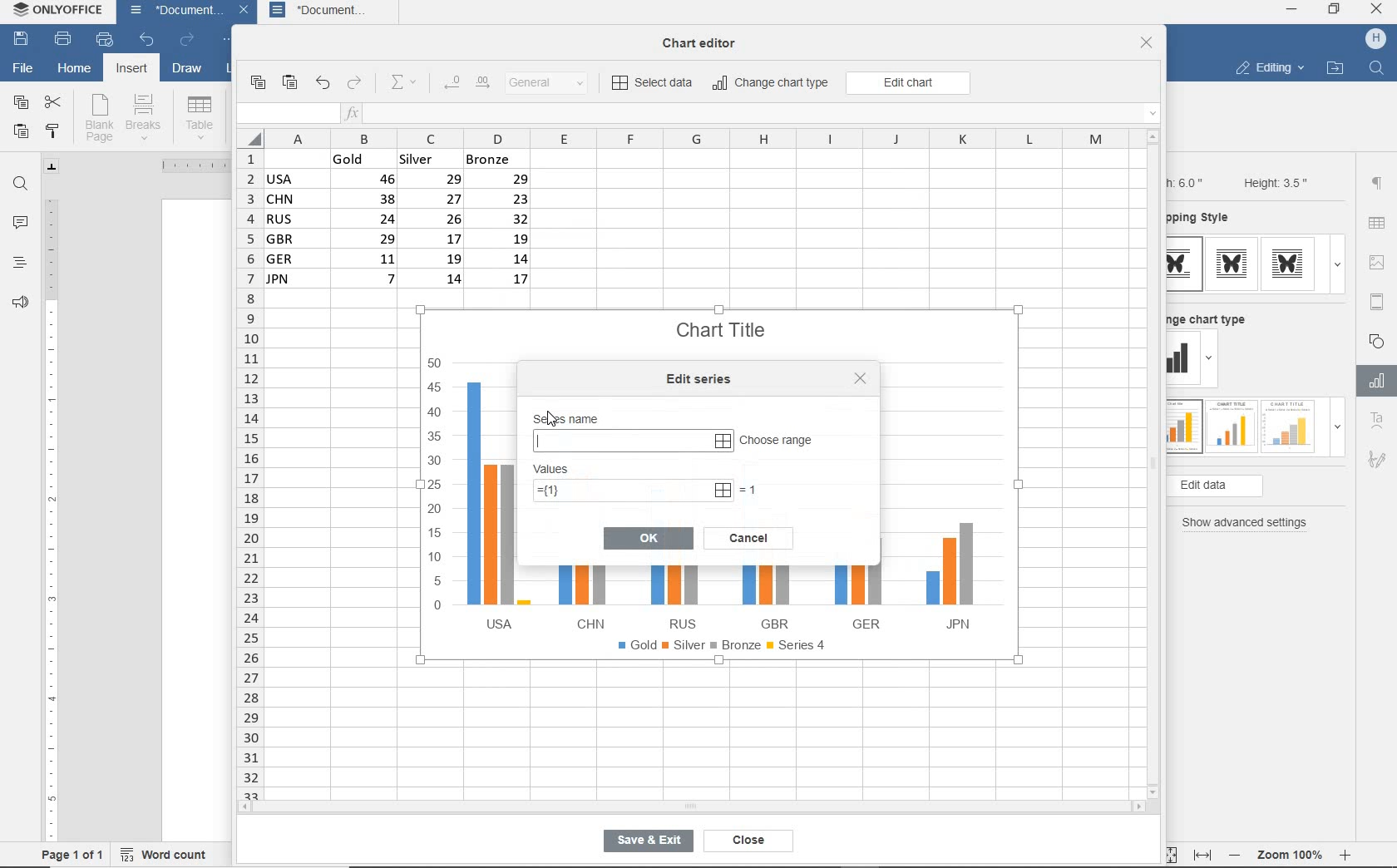 This screenshot has height=868, width=1397. What do you see at coordinates (1376, 463) in the screenshot?
I see `Signature settings` at bounding box center [1376, 463].